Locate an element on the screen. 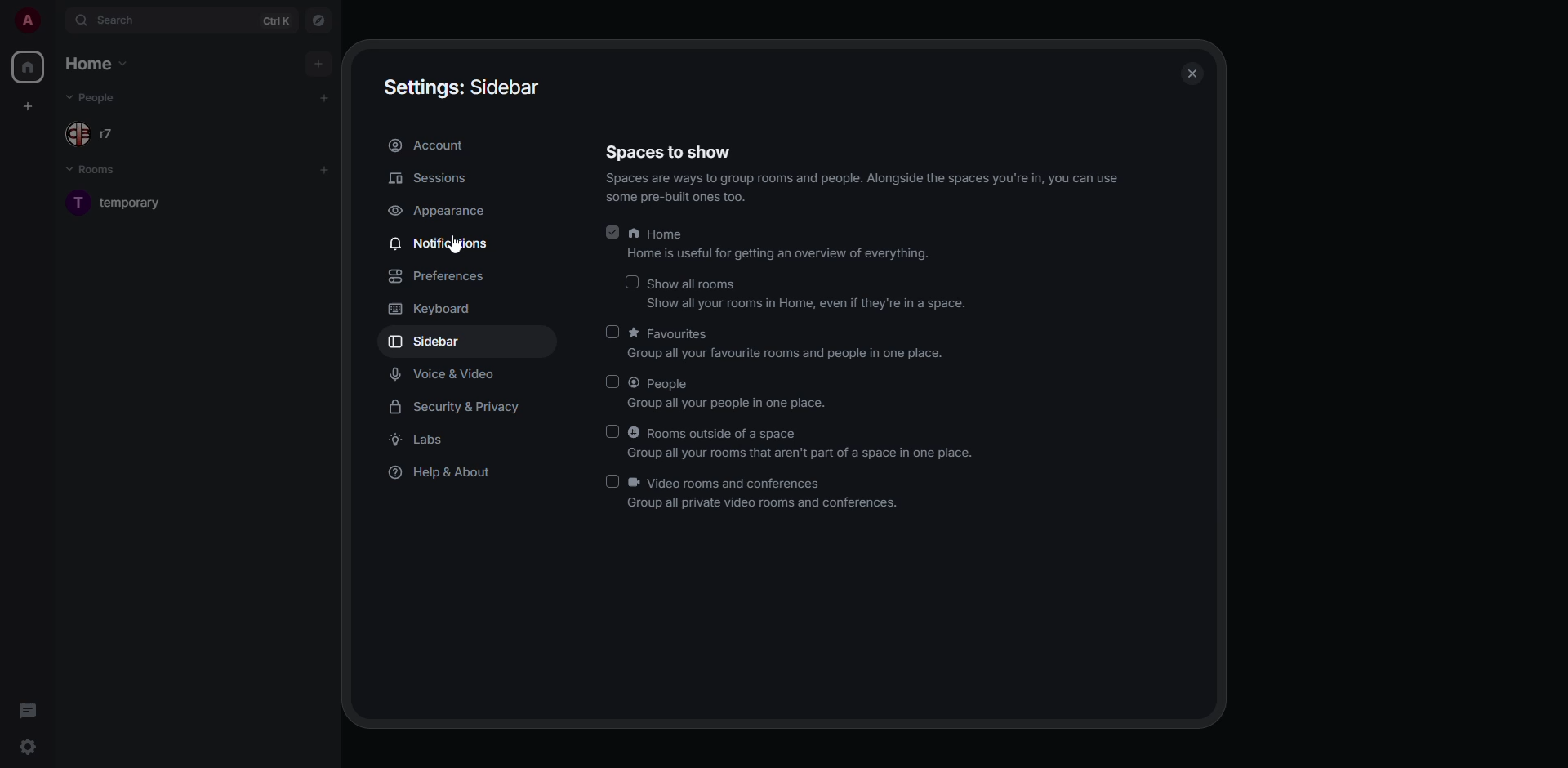 The image size is (1568, 768). help & about is located at coordinates (449, 473).